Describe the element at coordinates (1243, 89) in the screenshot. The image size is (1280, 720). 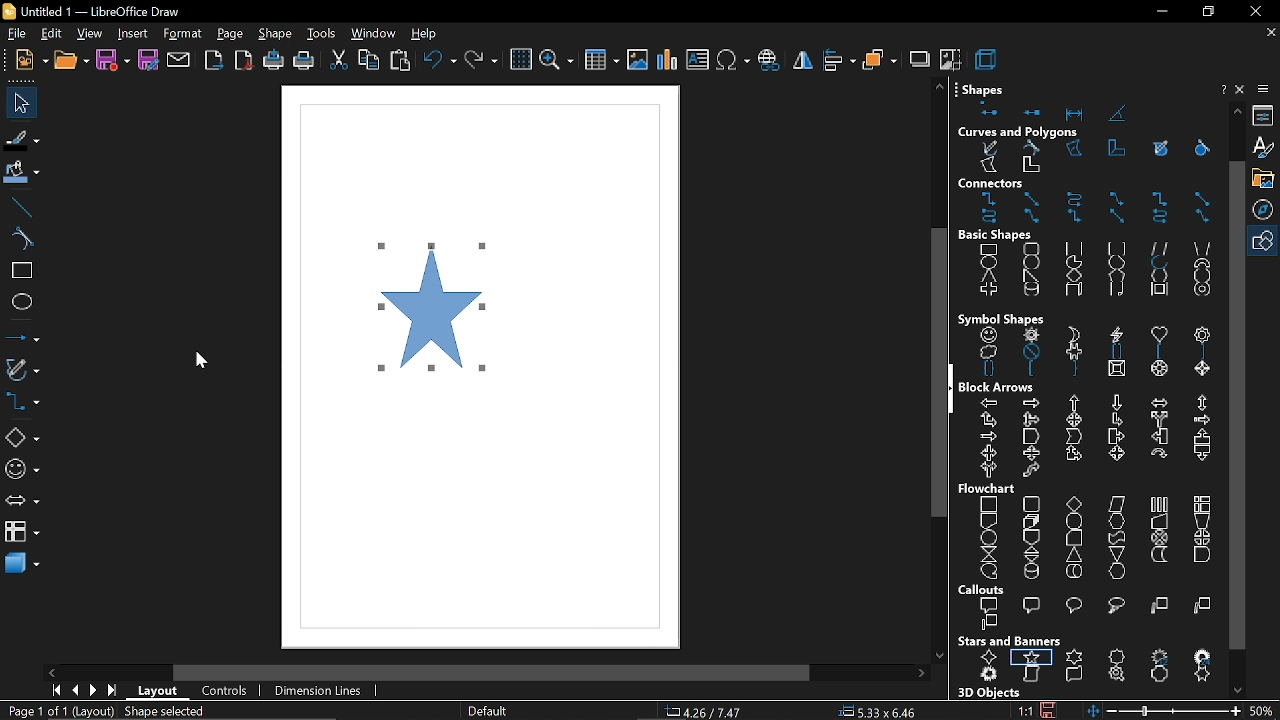
I see `close` at that location.